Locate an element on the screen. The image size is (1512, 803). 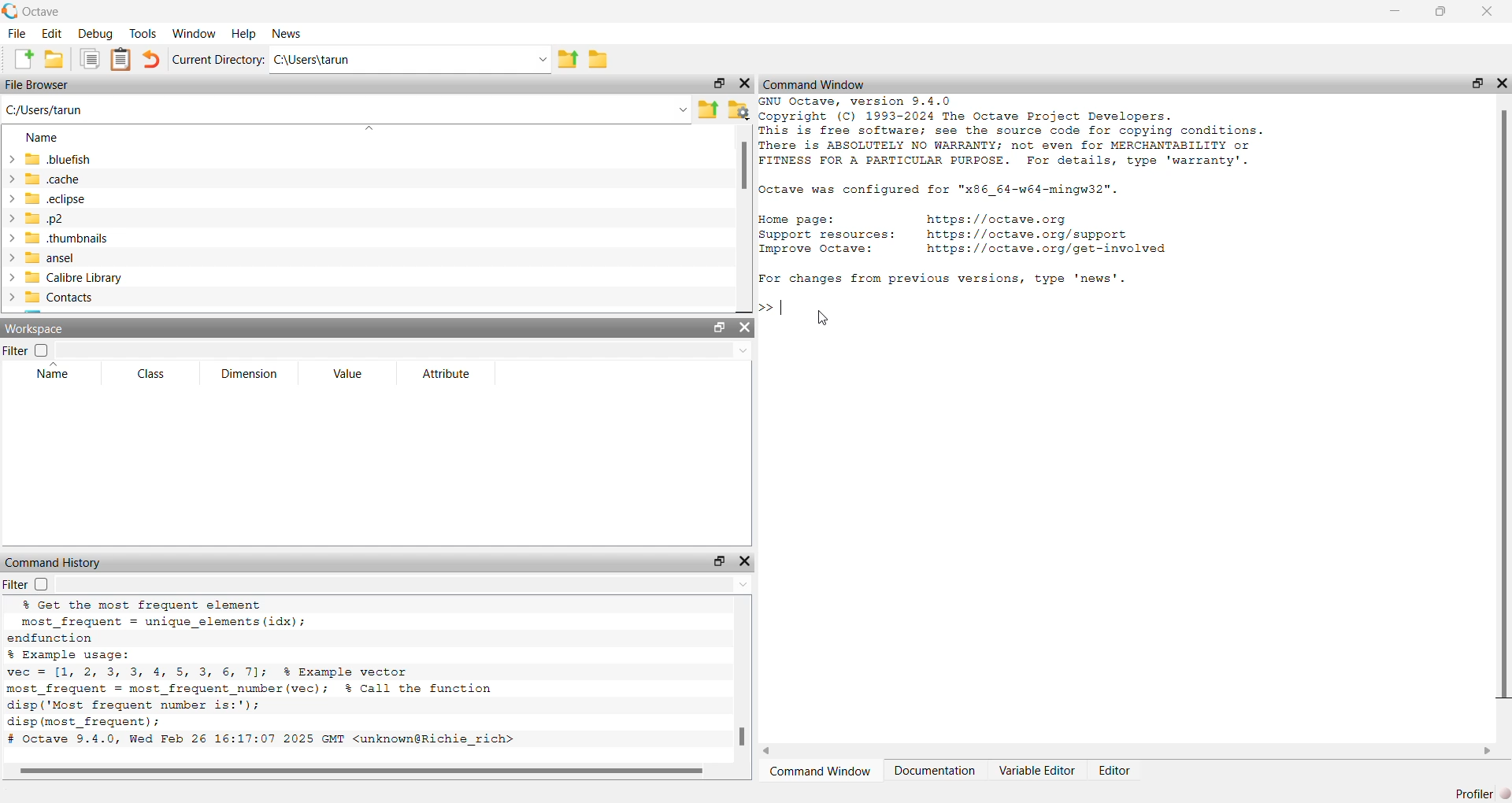
Help is located at coordinates (243, 33).